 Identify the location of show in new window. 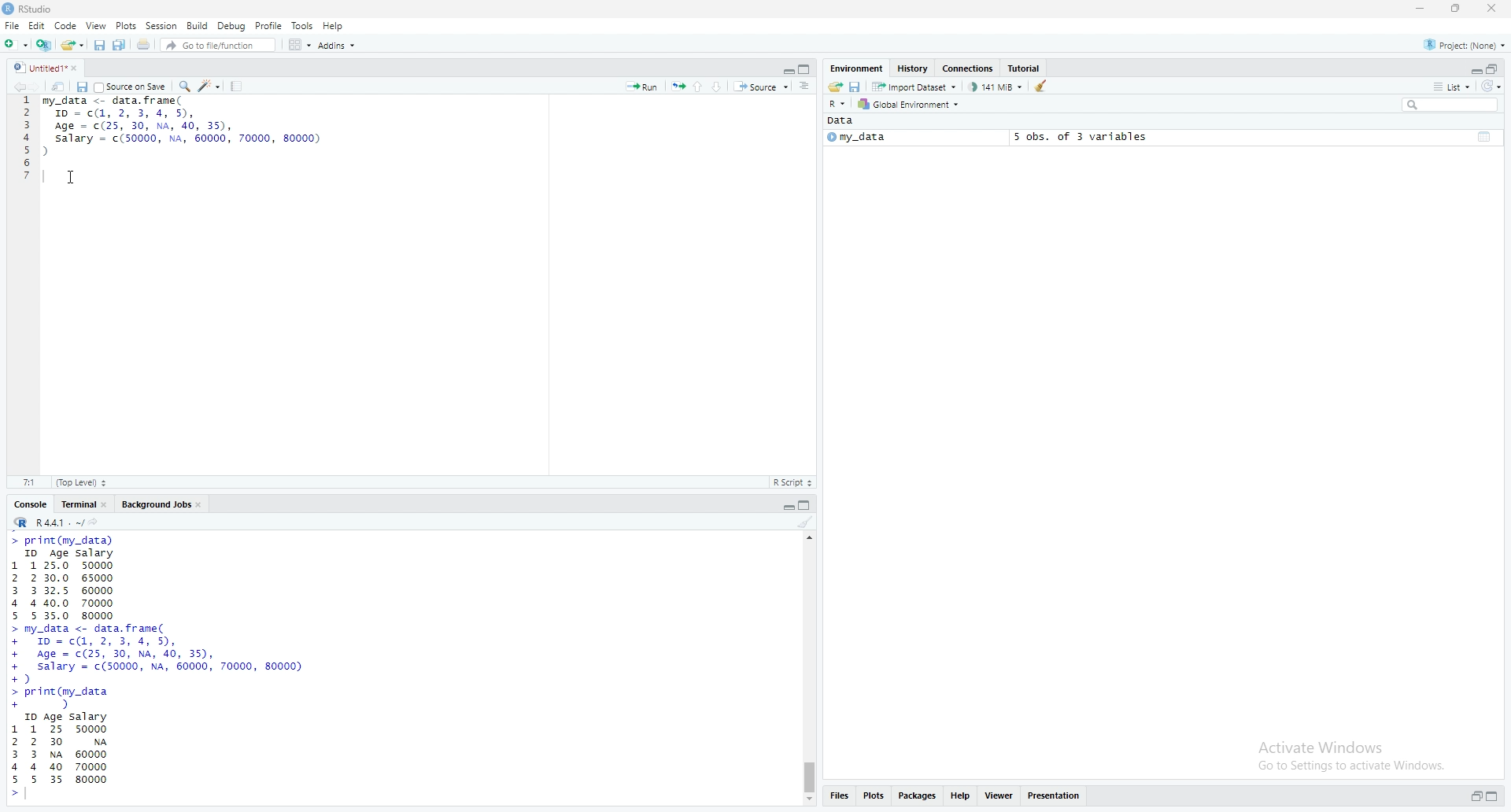
(58, 87).